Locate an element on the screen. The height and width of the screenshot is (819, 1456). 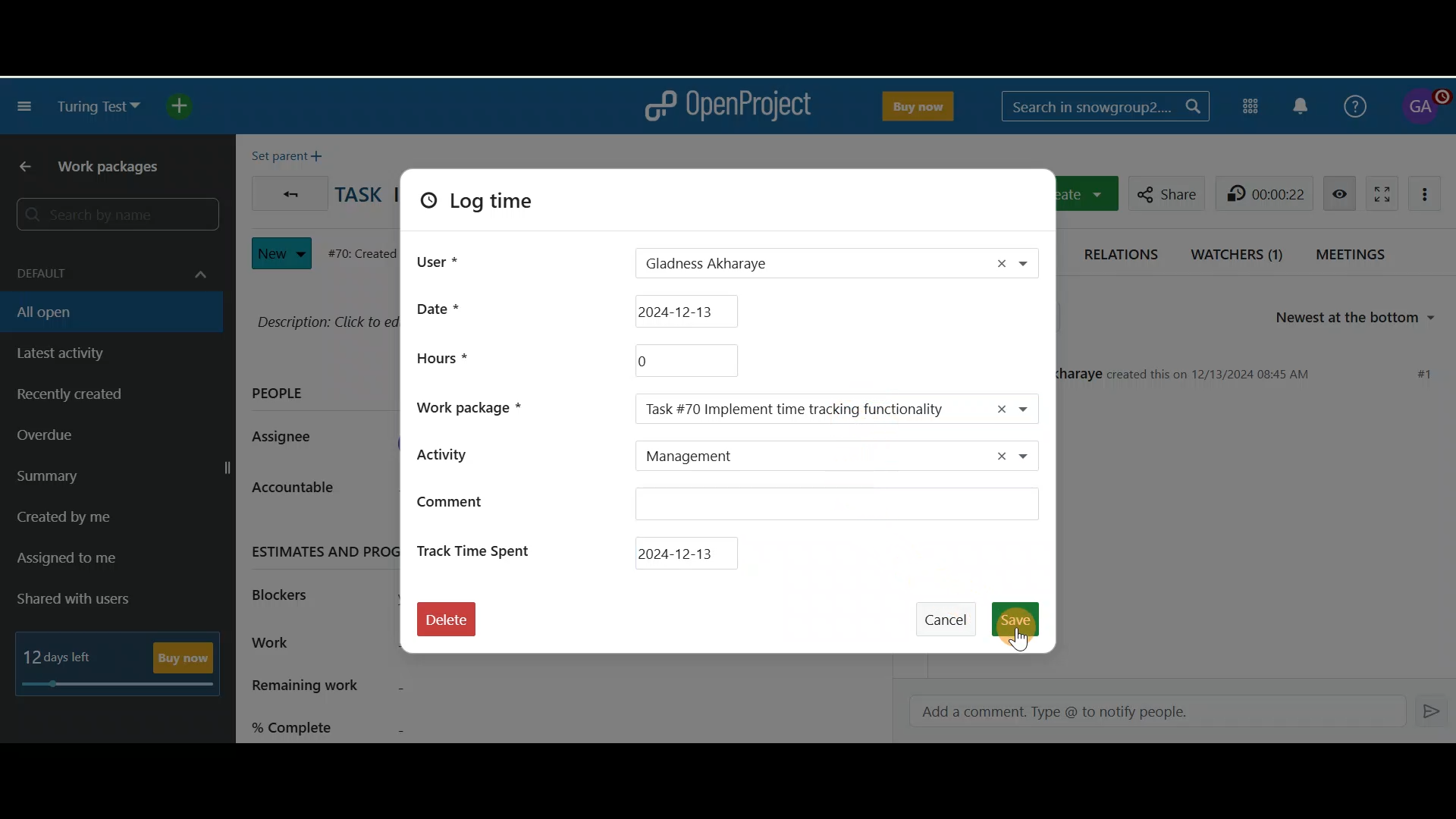
Notification centre is located at coordinates (1302, 105).